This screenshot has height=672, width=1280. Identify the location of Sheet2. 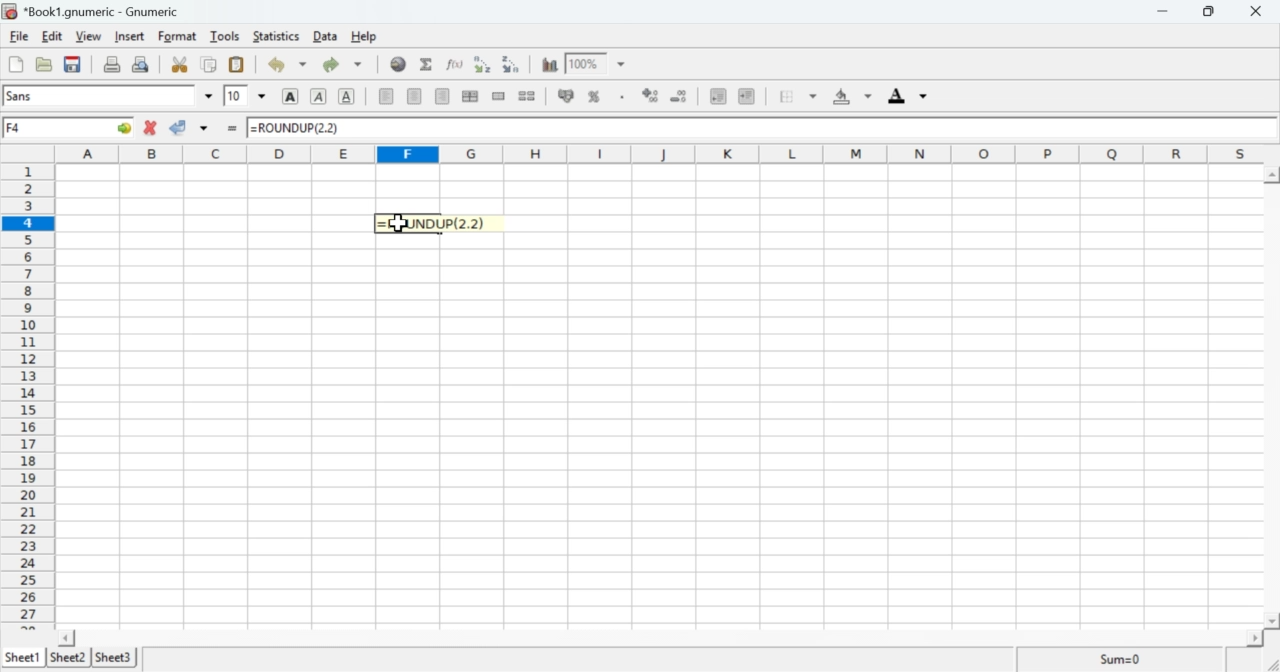
(67, 655).